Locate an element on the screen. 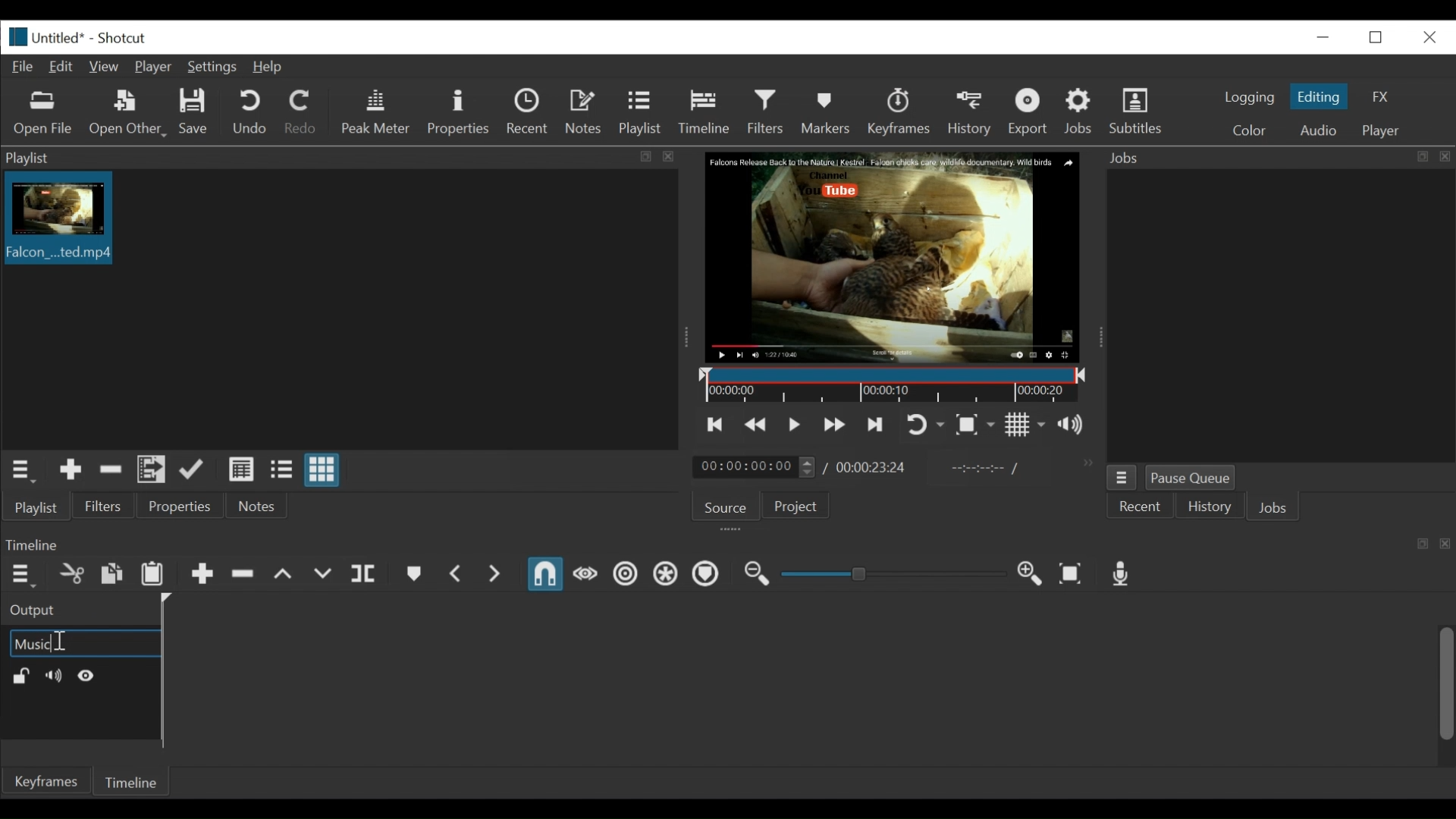 The height and width of the screenshot is (819, 1456). Toggle Zoom is located at coordinates (976, 424).